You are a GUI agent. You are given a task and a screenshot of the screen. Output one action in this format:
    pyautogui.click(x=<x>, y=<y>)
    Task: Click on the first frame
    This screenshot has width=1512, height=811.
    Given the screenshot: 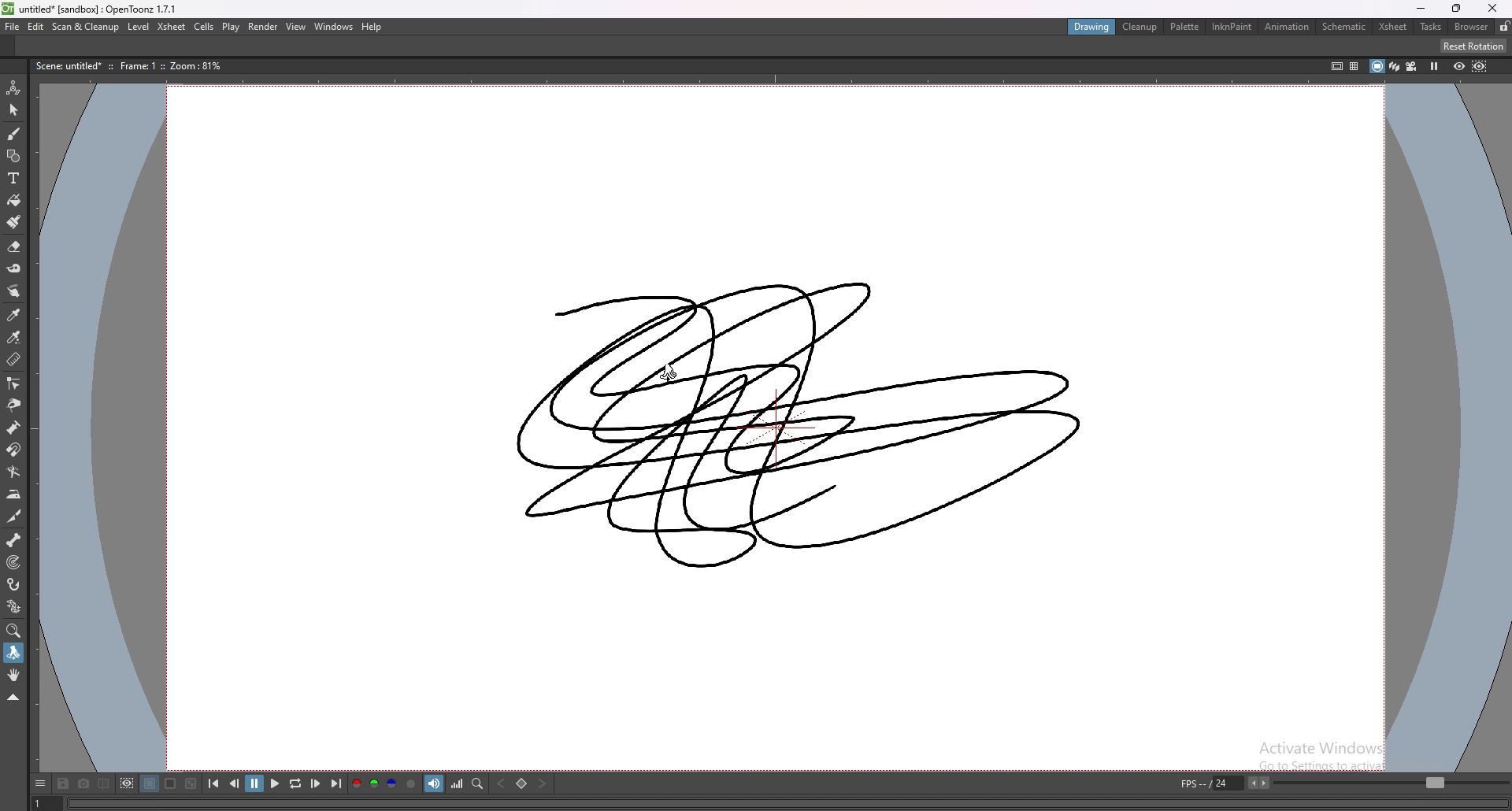 What is the action you would take?
    pyautogui.click(x=215, y=784)
    